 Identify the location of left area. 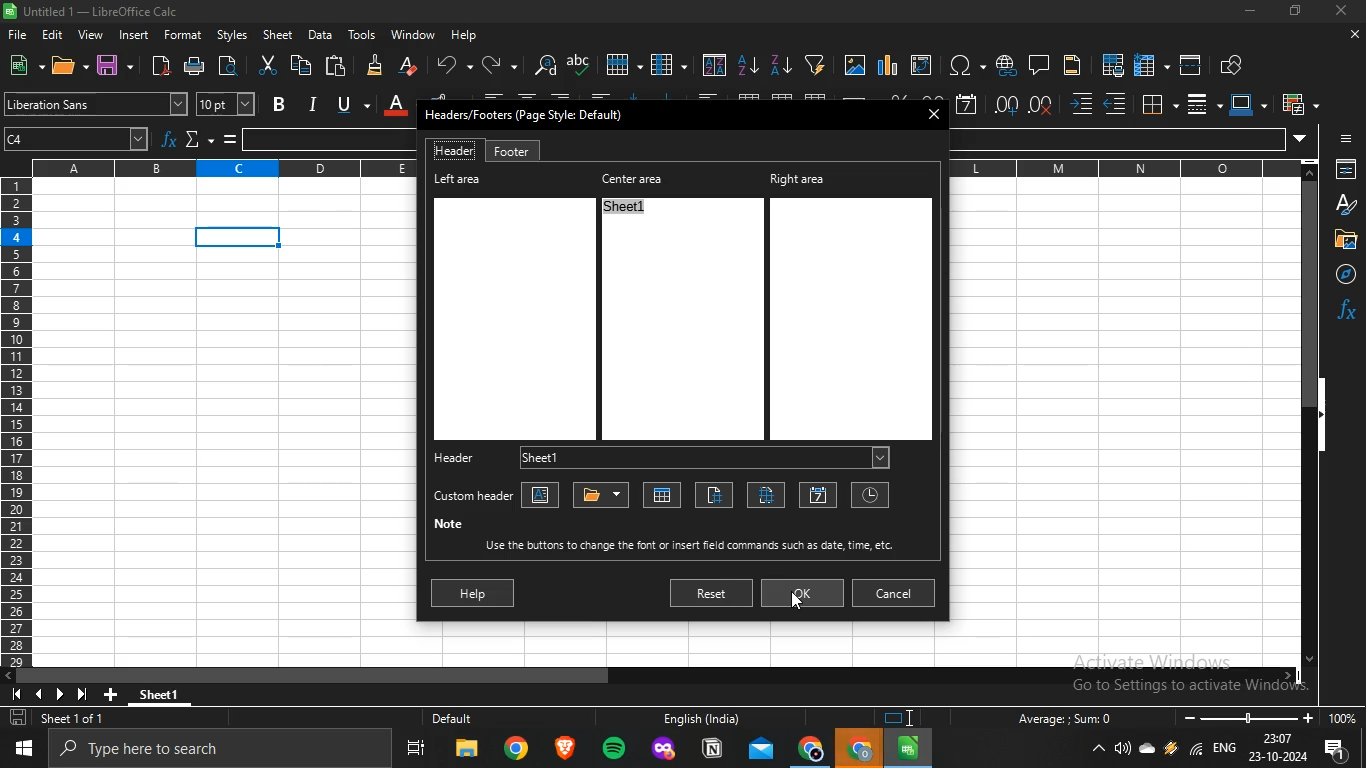
(511, 306).